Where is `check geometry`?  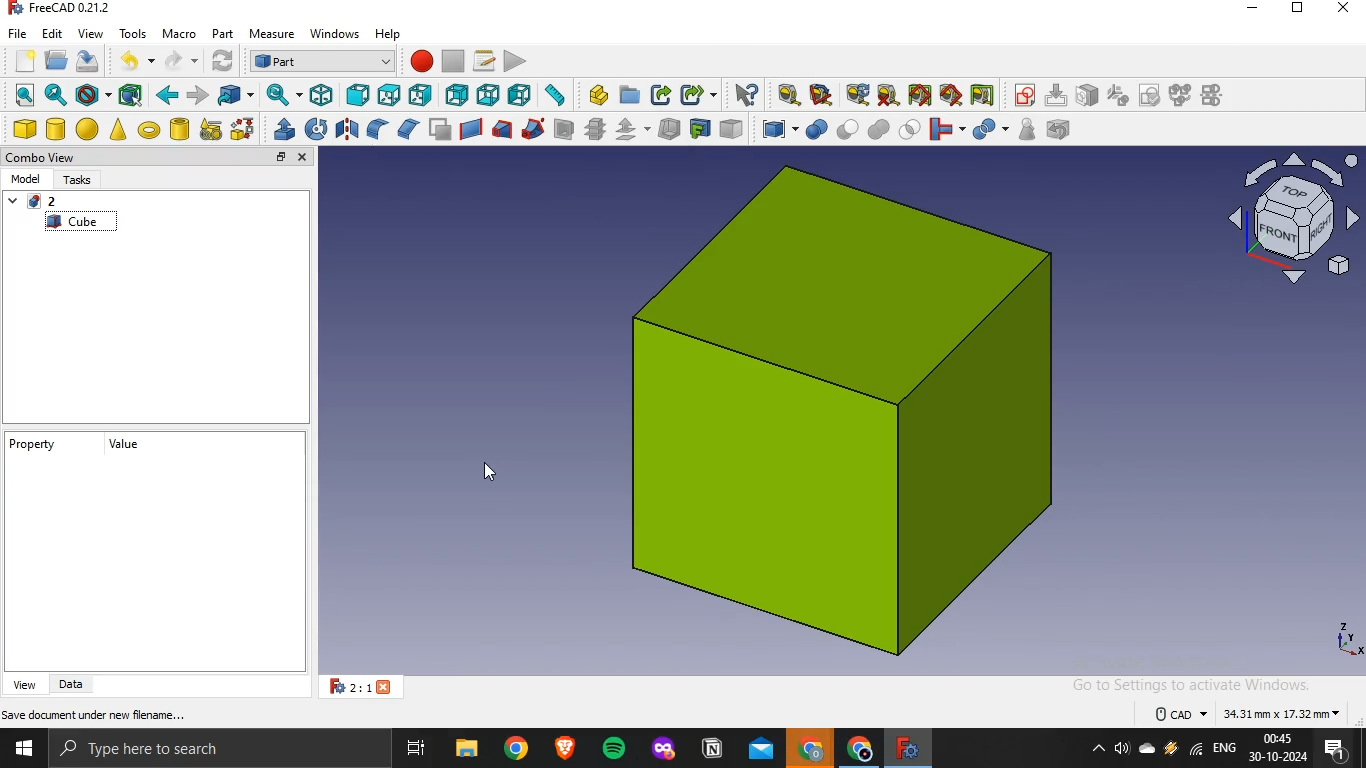
check geometry is located at coordinates (1027, 130).